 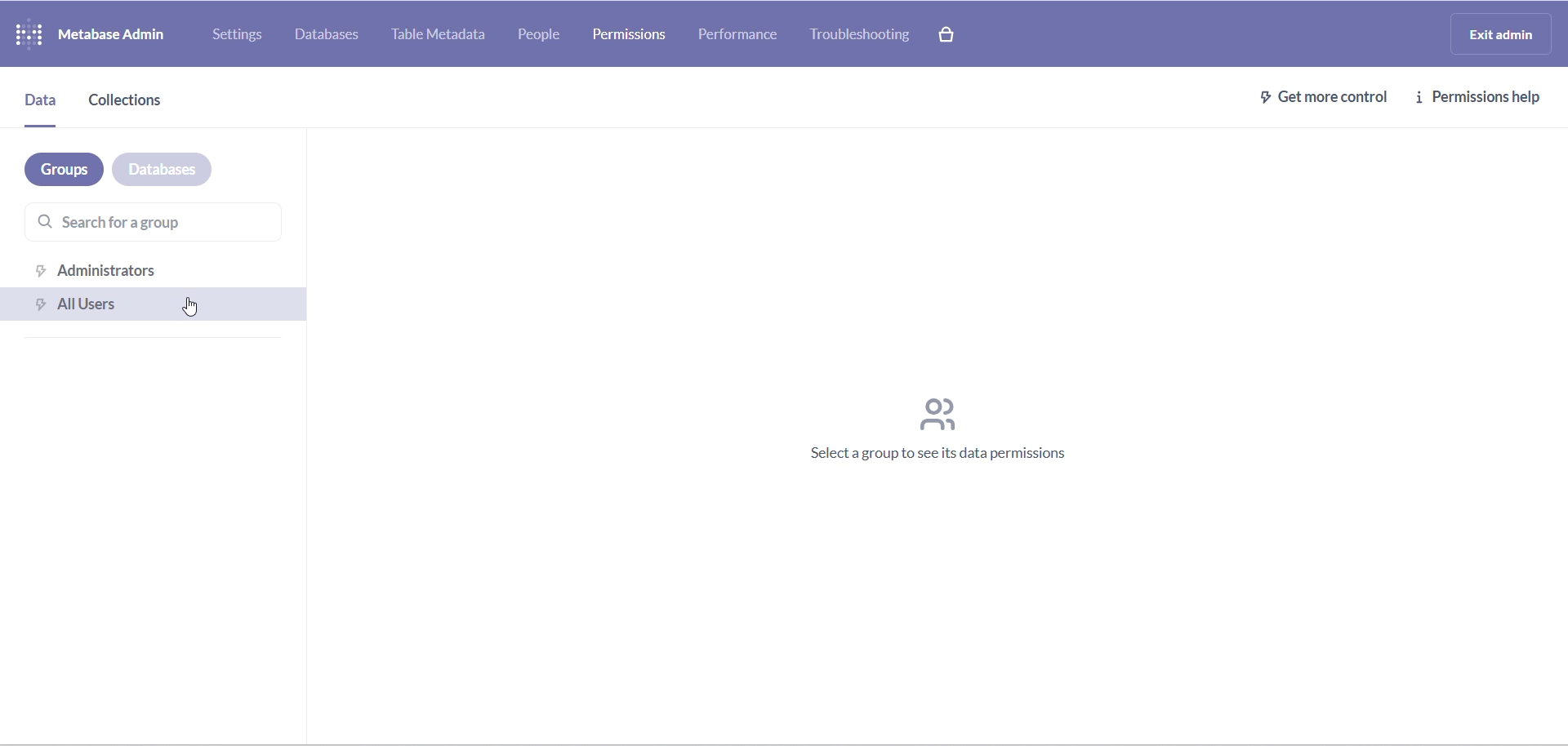 What do you see at coordinates (1481, 100) in the screenshot?
I see `permission help` at bounding box center [1481, 100].